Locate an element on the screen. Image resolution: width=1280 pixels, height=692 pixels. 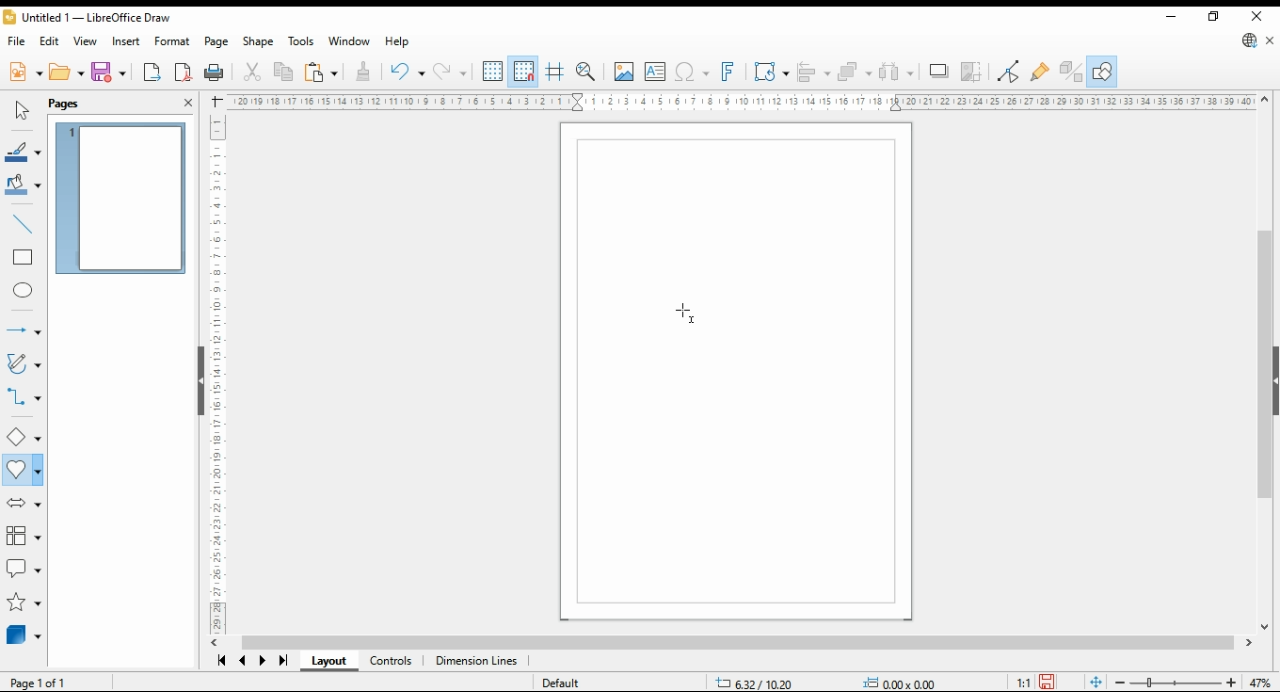
select at least three items to distribute is located at coordinates (897, 72).